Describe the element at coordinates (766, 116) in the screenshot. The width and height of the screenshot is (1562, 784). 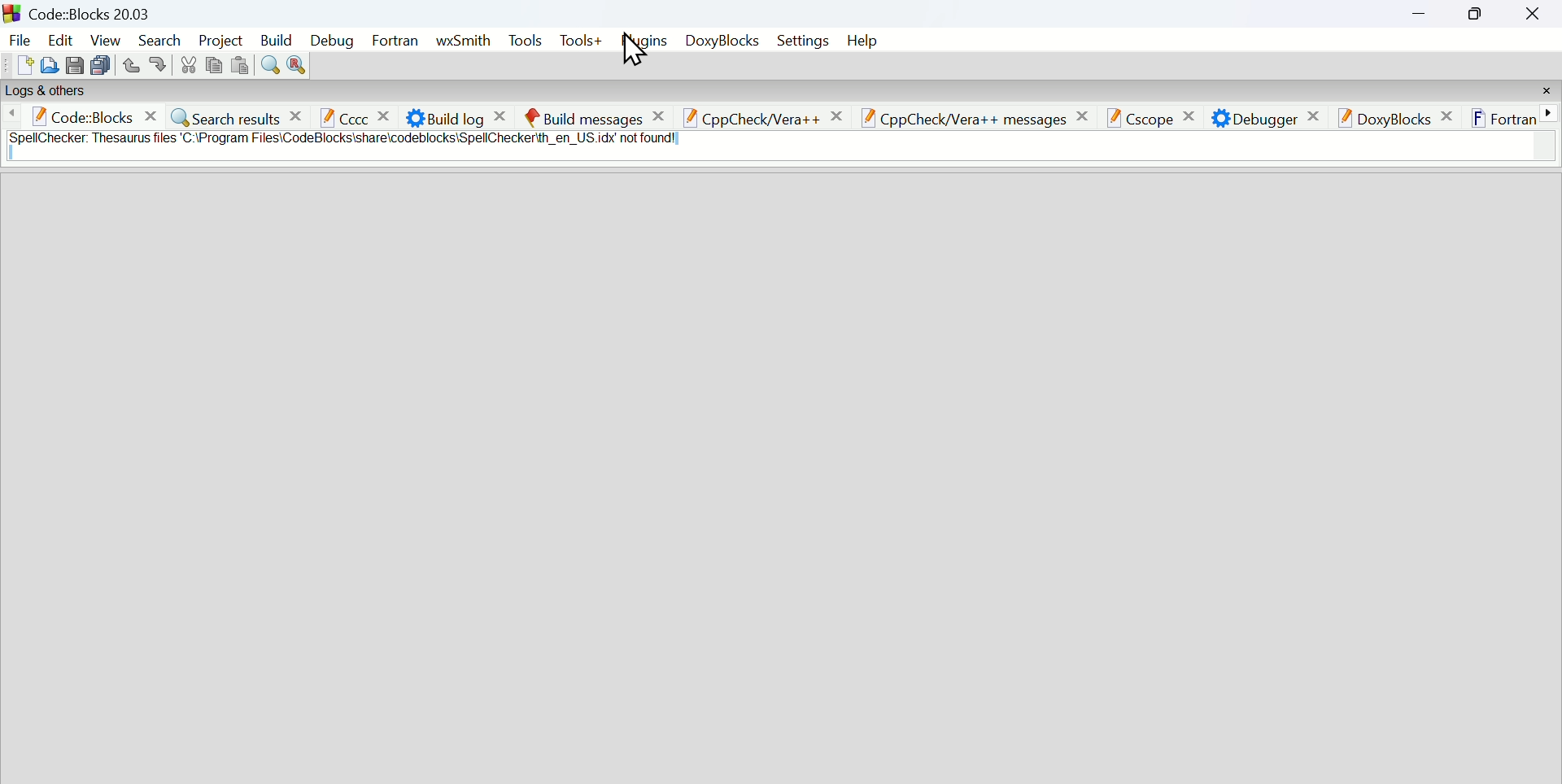
I see `CppCheck/Vera++` at that location.